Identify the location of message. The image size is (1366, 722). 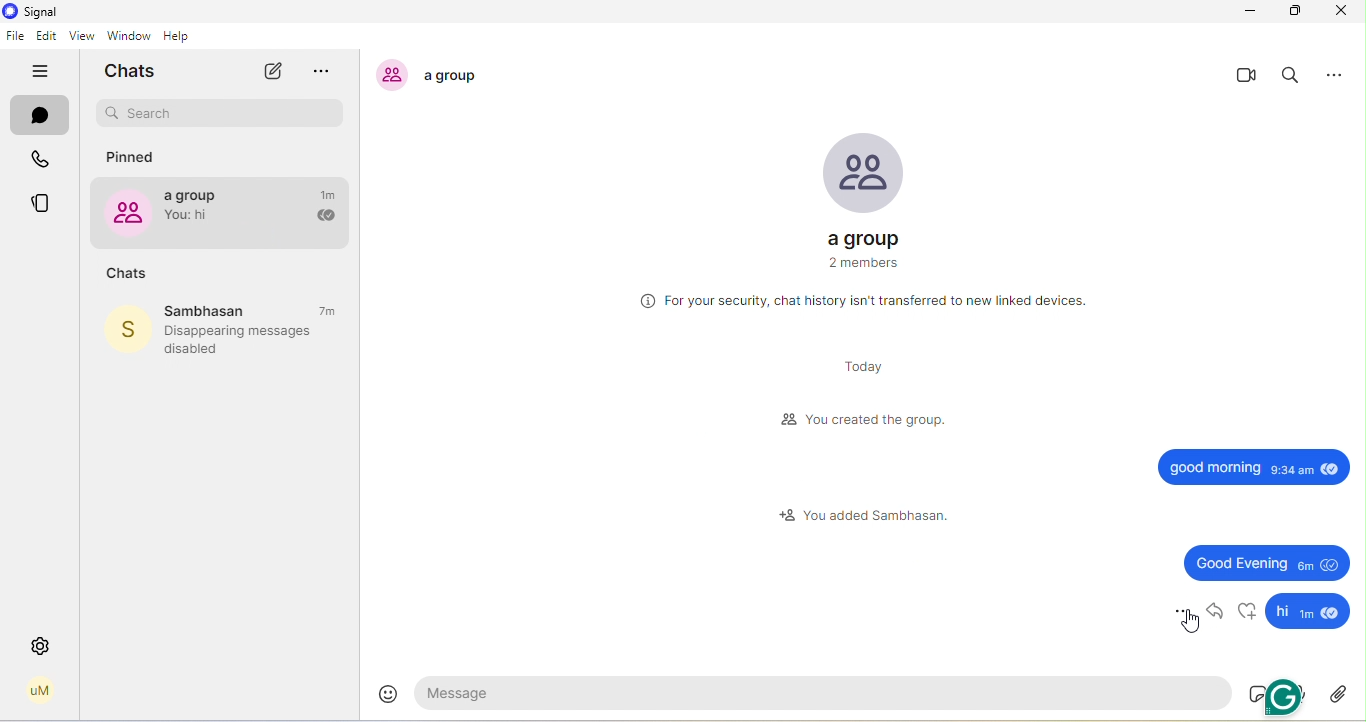
(828, 692).